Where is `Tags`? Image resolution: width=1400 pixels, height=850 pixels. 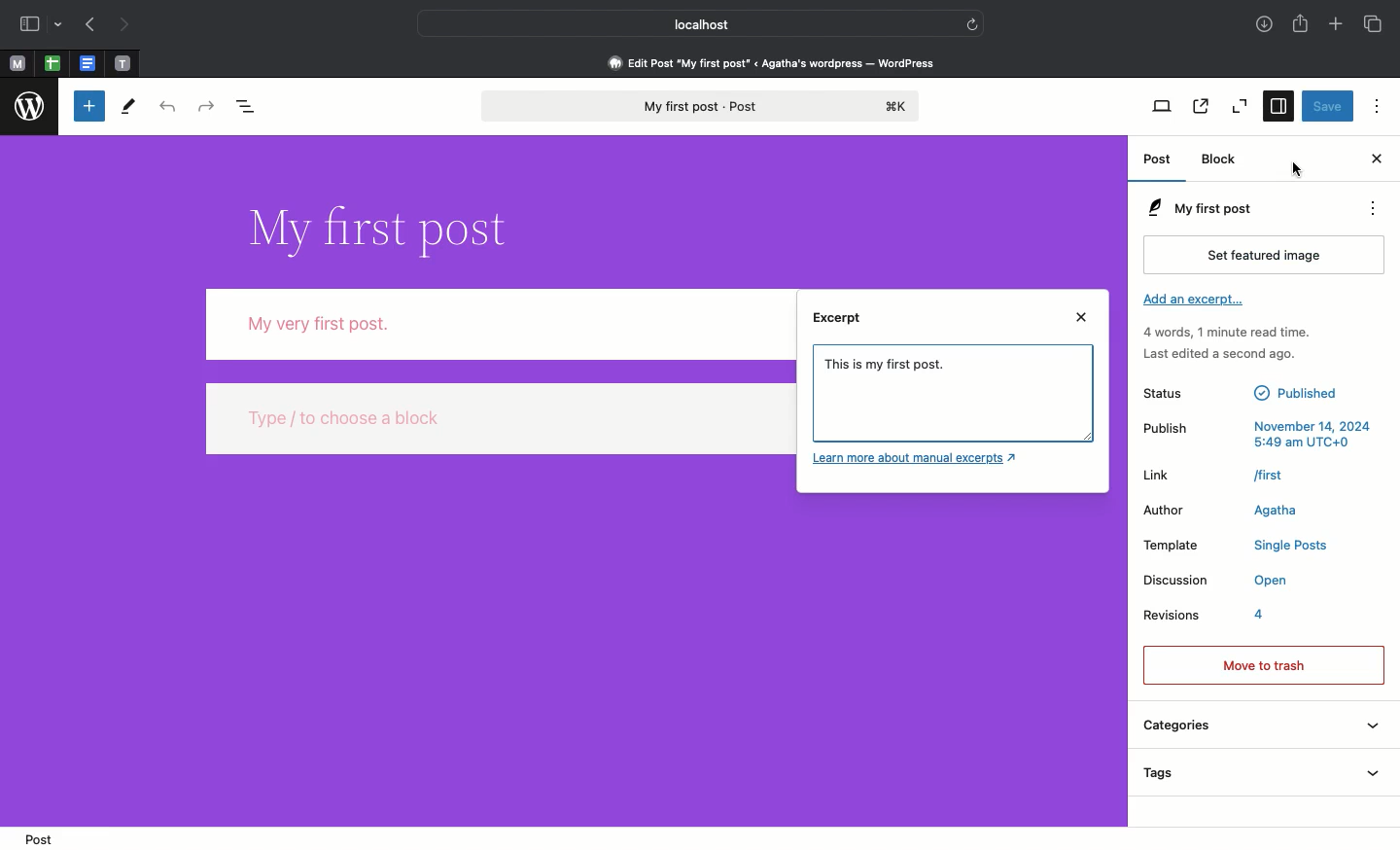 Tags is located at coordinates (1259, 775).